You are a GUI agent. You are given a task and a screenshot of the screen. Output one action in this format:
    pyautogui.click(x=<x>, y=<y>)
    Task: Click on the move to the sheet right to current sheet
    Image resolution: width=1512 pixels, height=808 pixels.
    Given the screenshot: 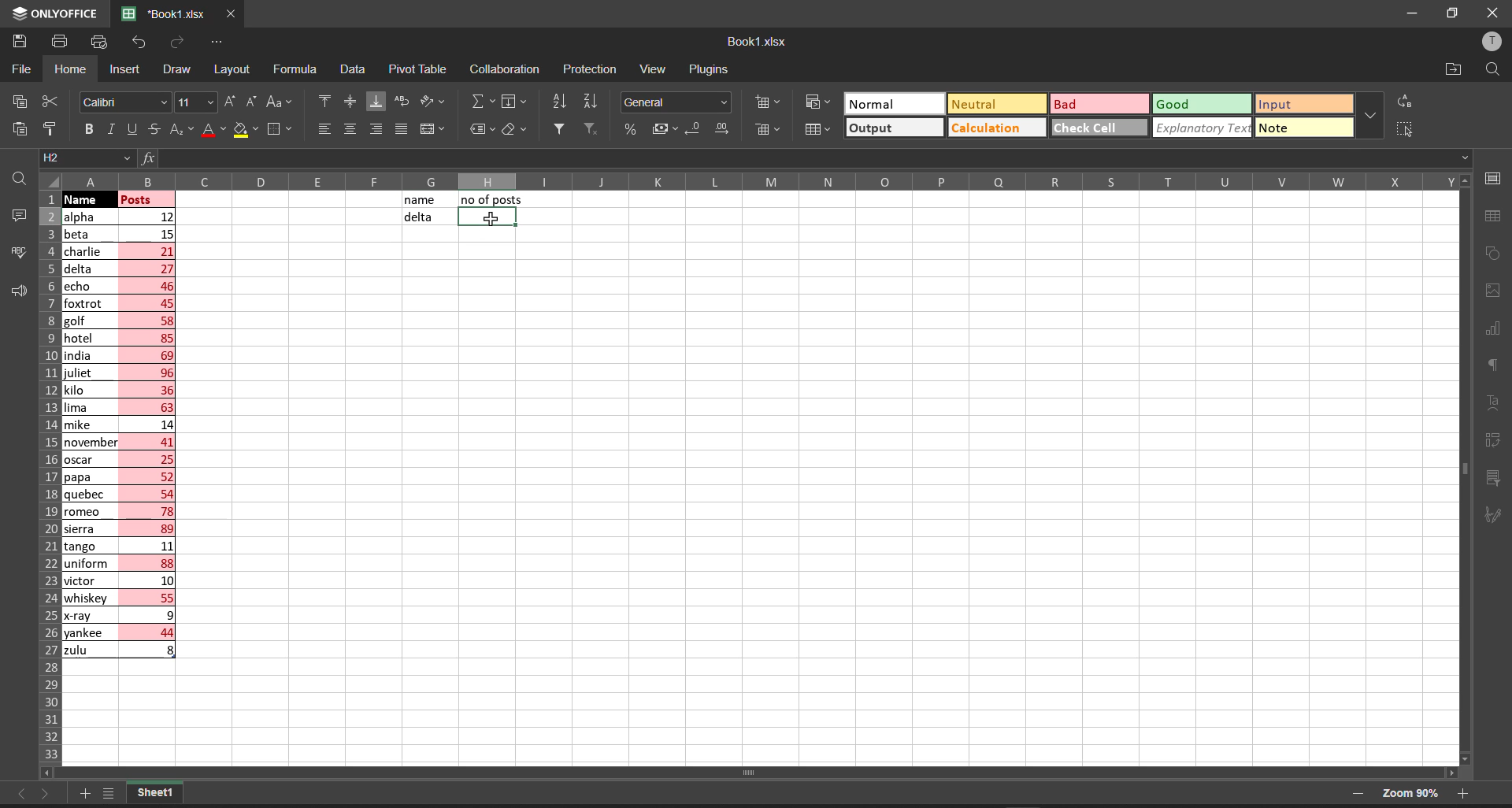 What is the action you would take?
    pyautogui.click(x=48, y=797)
    